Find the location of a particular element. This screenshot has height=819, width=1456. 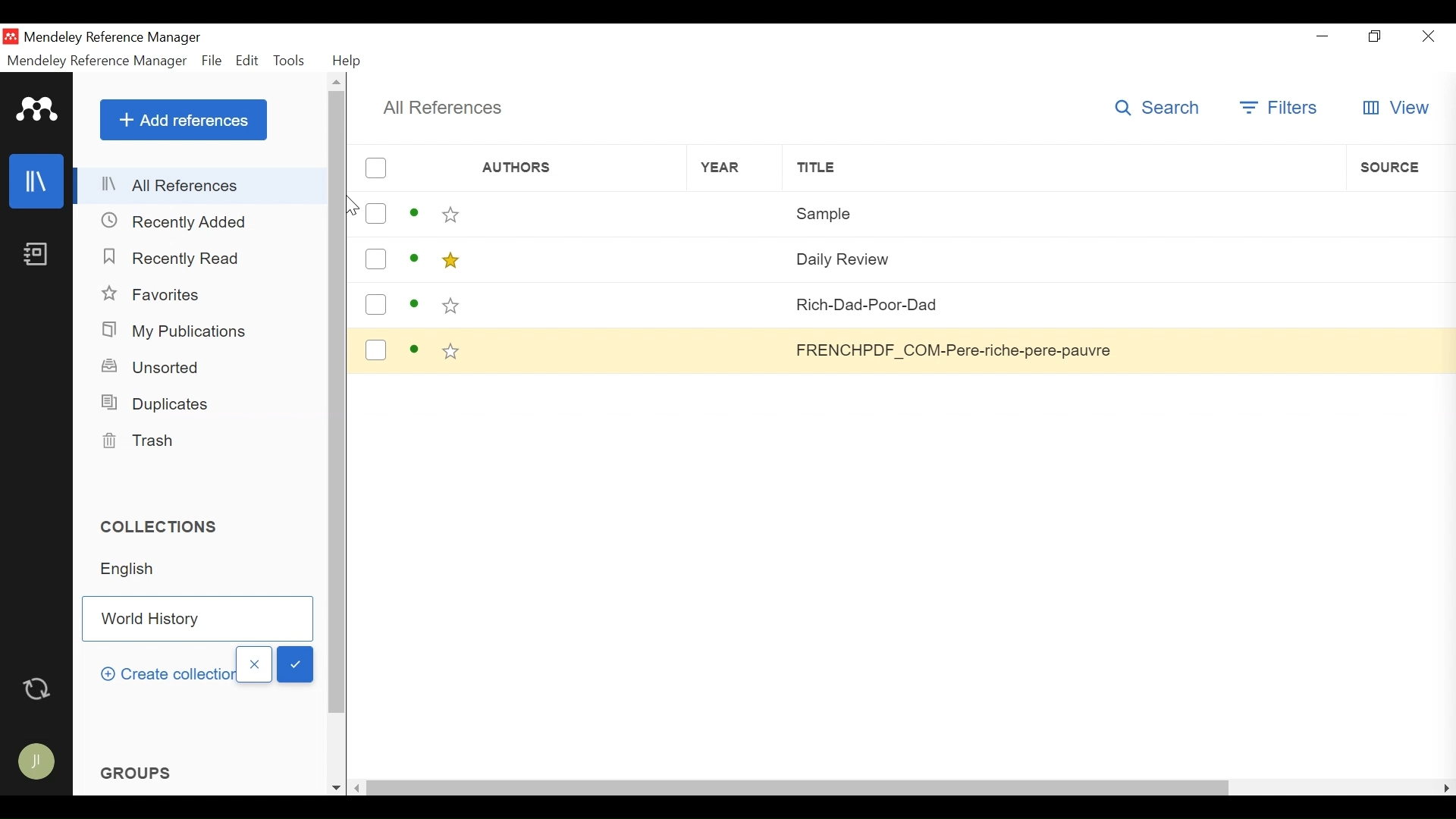

Toggle favorites is located at coordinates (451, 215).